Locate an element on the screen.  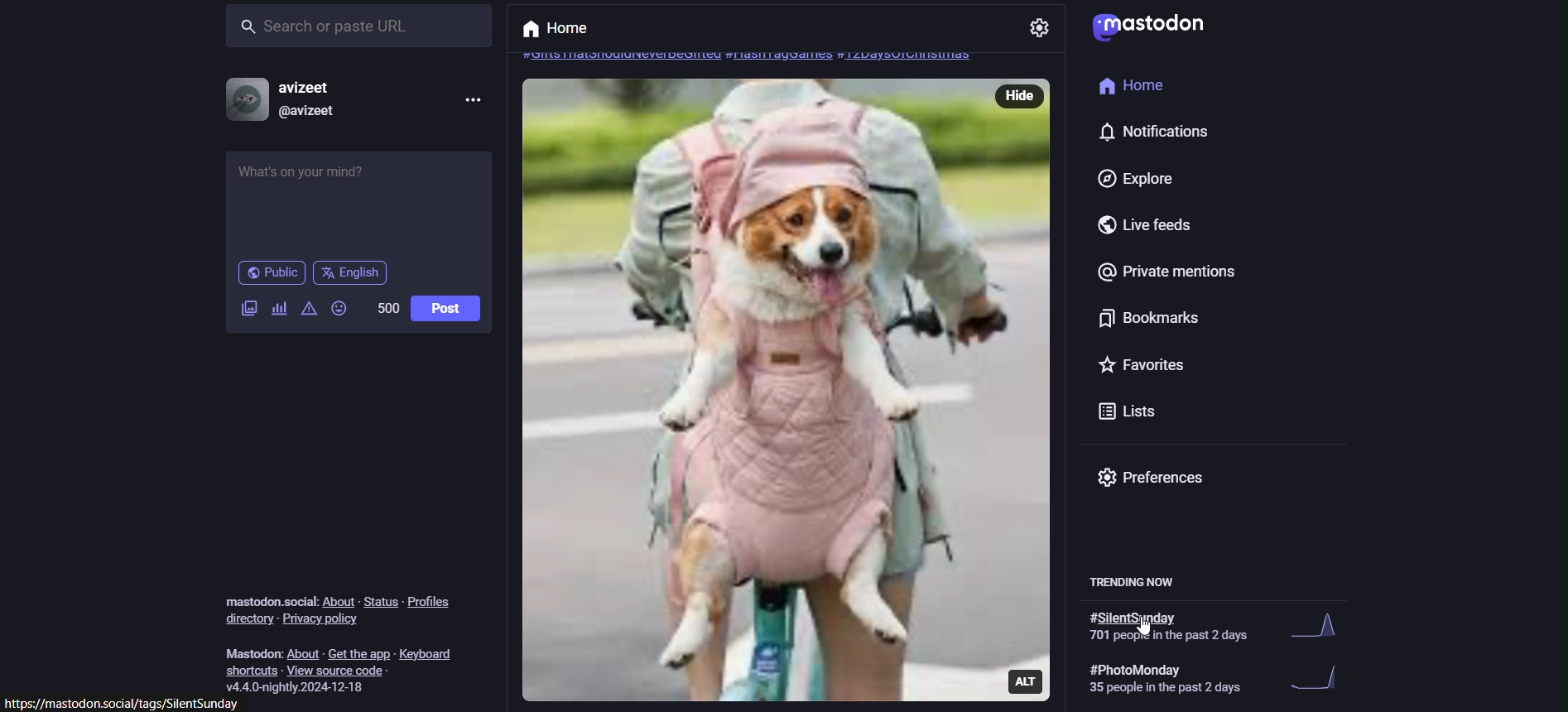
add image is located at coordinates (247, 311).